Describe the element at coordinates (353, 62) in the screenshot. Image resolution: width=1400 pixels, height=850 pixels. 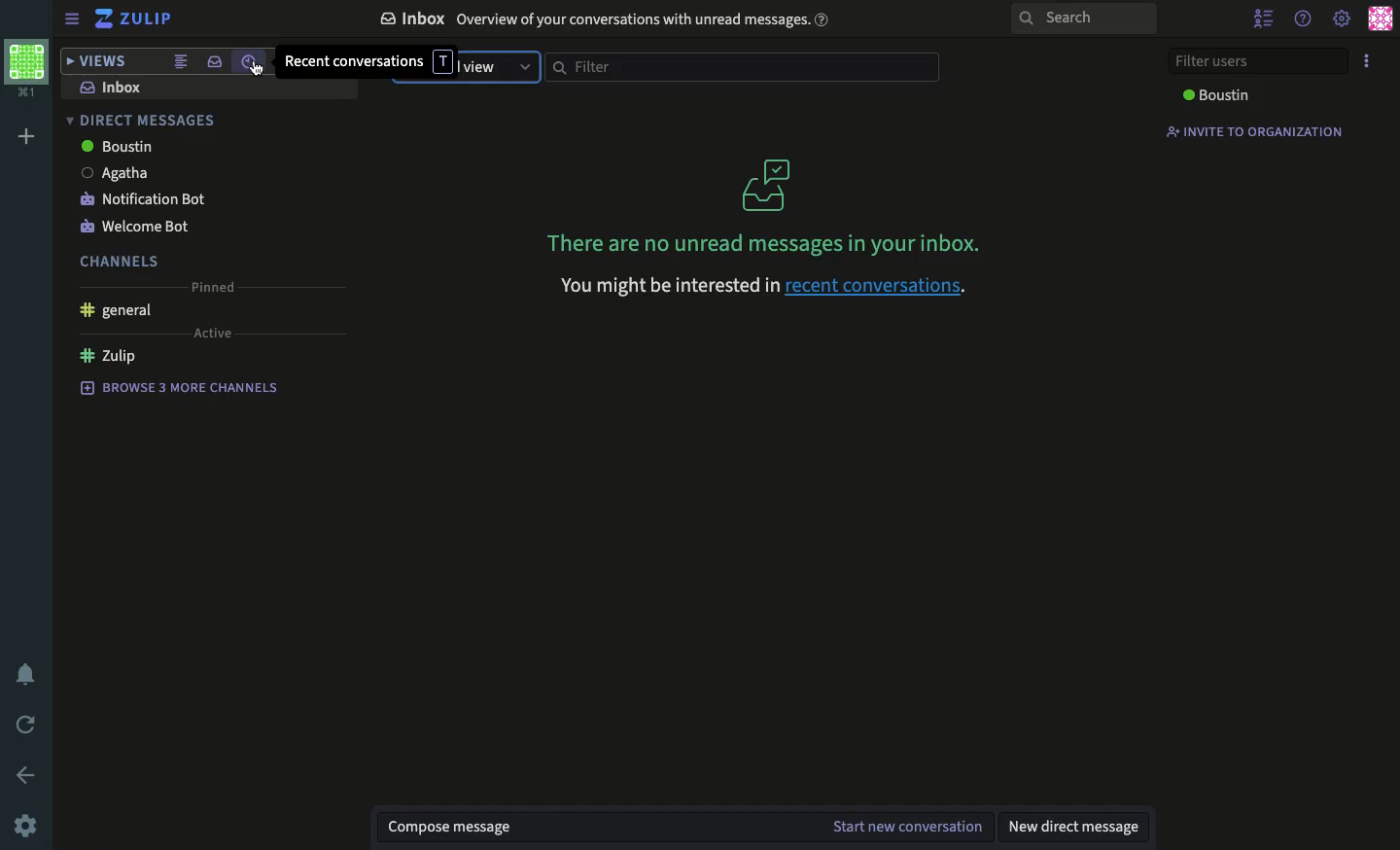
I see `recent conversation` at that location.